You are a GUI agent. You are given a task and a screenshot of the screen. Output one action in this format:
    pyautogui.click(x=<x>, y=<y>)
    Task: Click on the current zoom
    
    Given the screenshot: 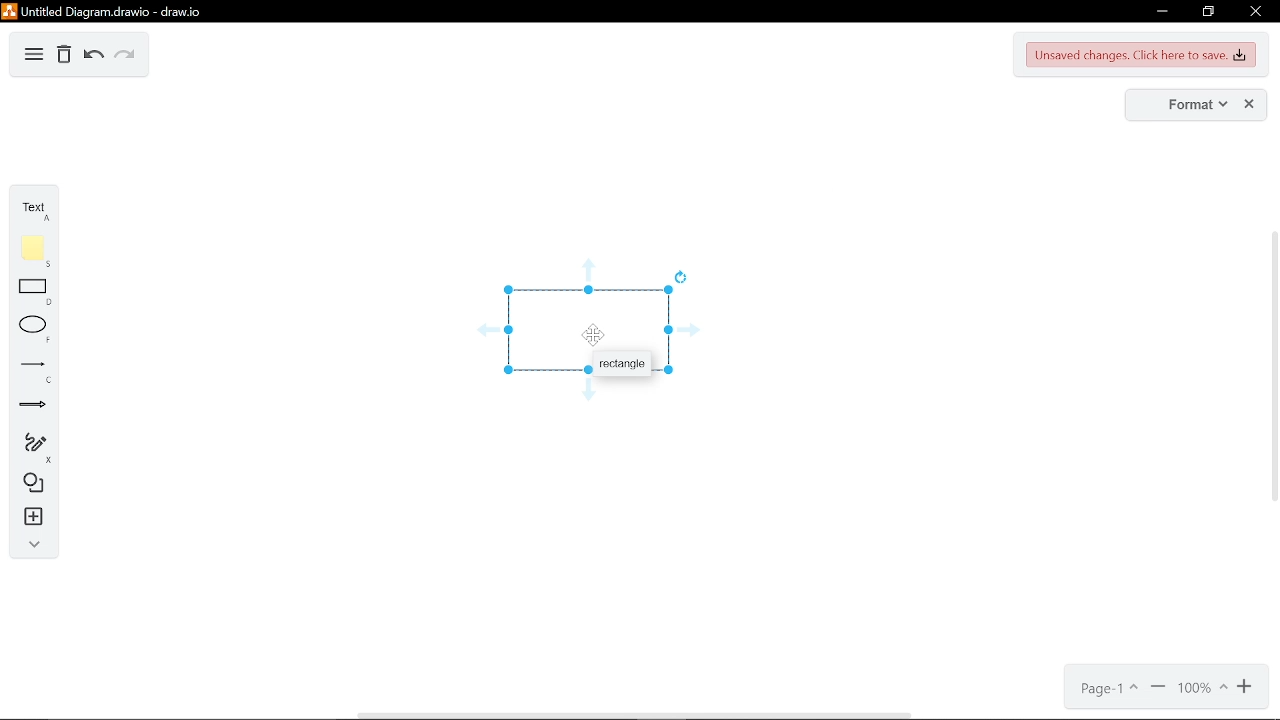 What is the action you would take?
    pyautogui.click(x=1201, y=688)
    